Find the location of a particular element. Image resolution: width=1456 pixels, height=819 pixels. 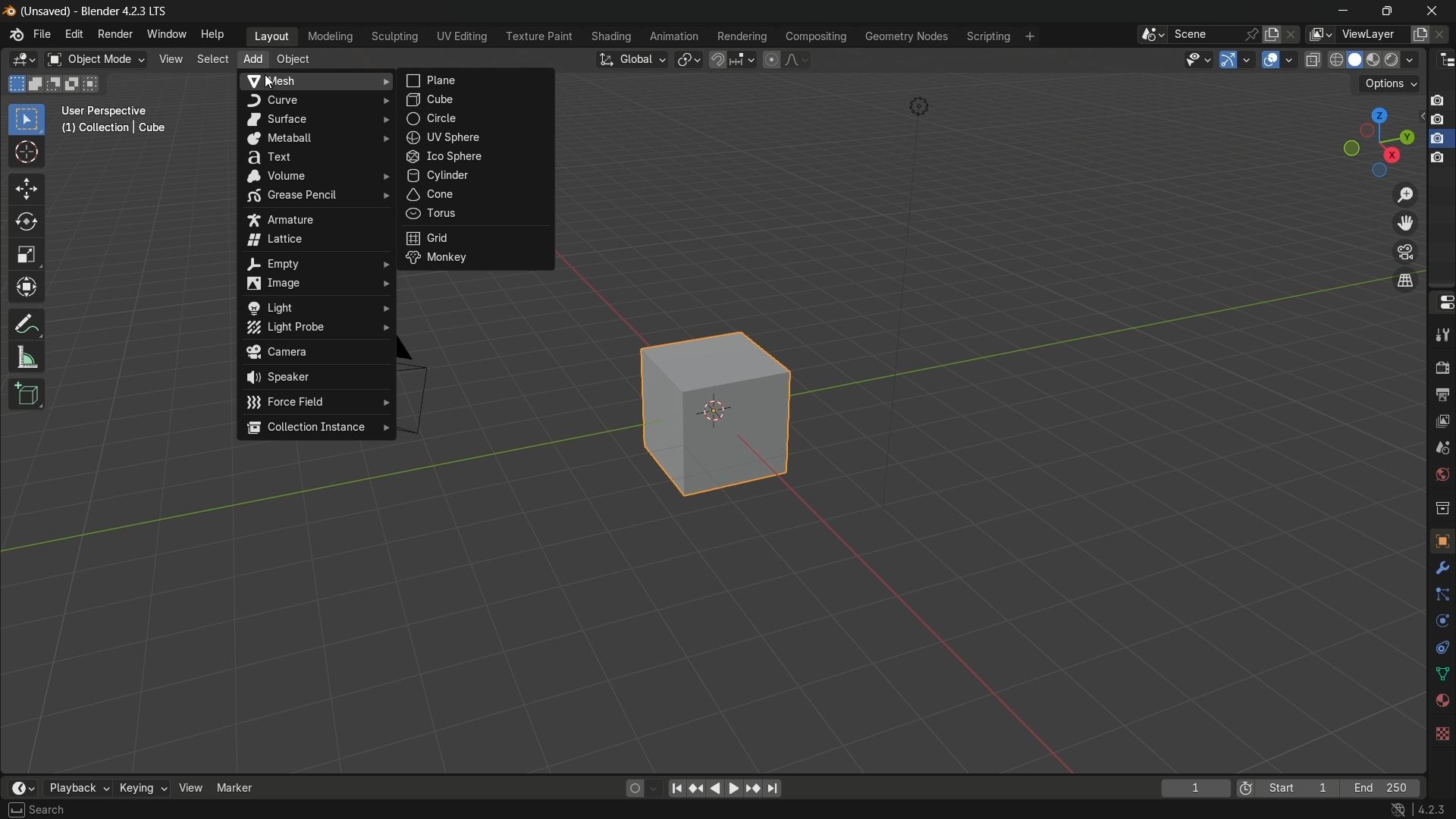

circle is located at coordinates (477, 118).